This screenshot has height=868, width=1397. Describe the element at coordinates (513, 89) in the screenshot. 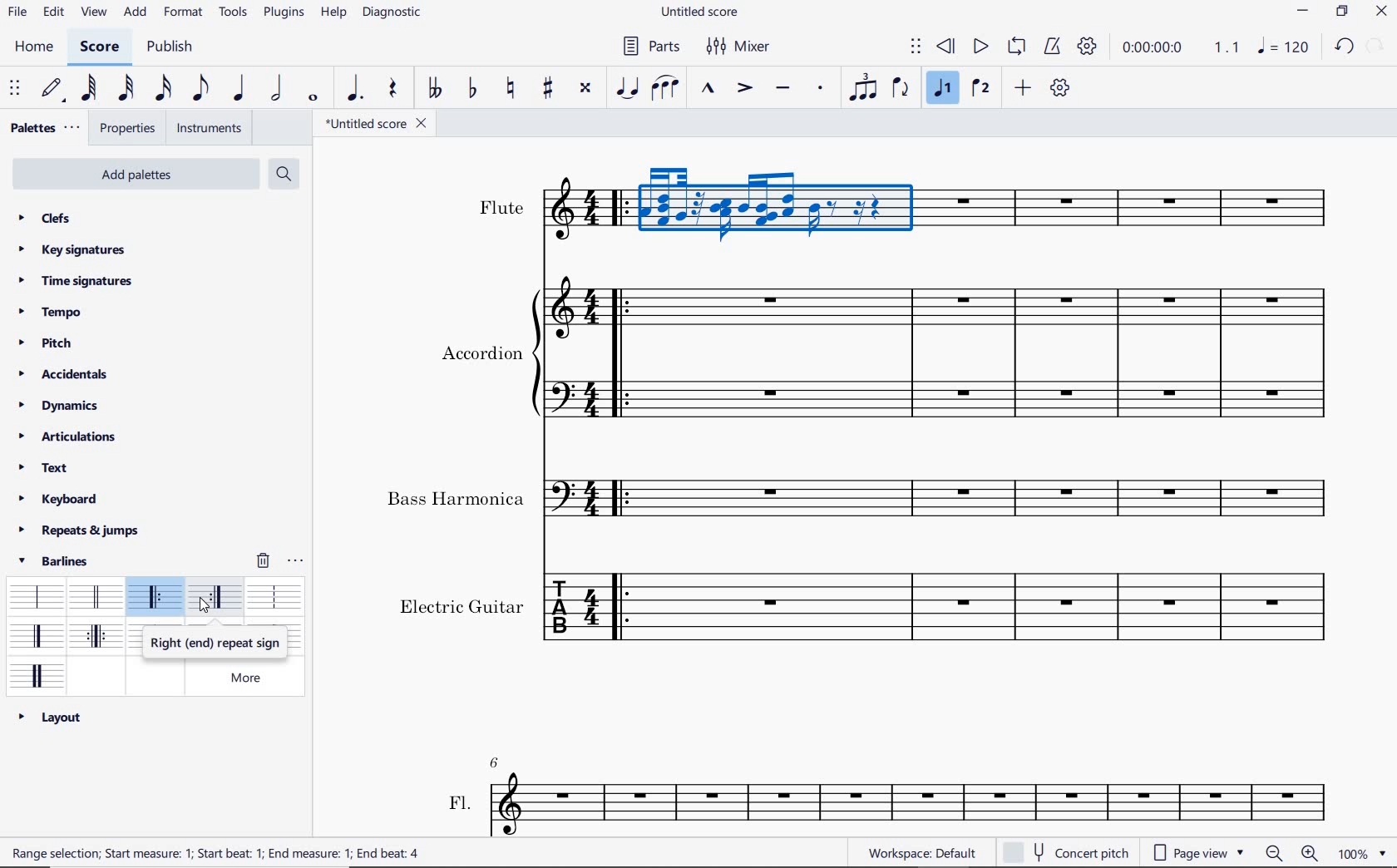

I see `toggle natural` at that location.